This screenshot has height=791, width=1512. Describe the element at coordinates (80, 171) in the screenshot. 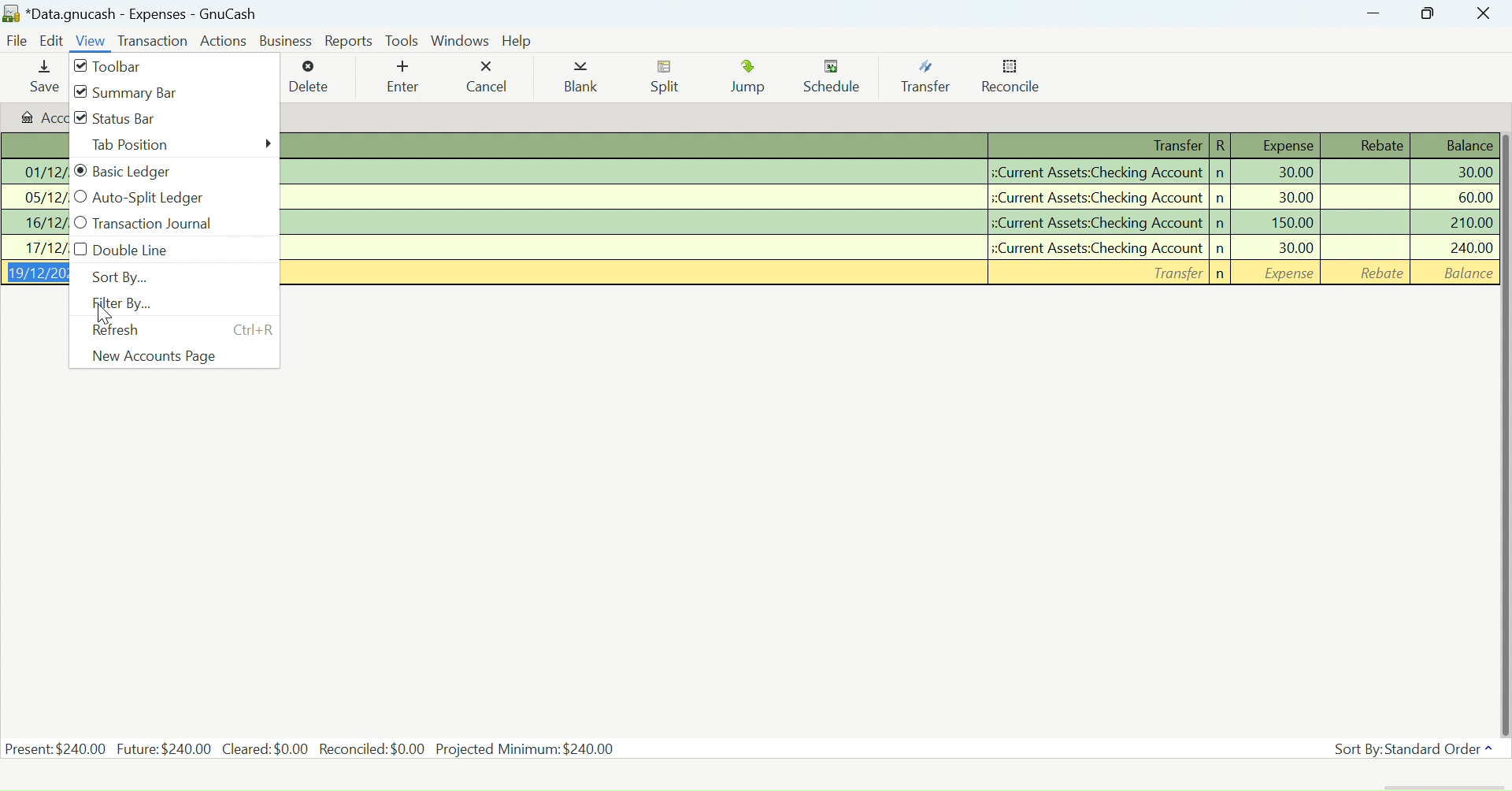

I see `Checkbox` at that location.